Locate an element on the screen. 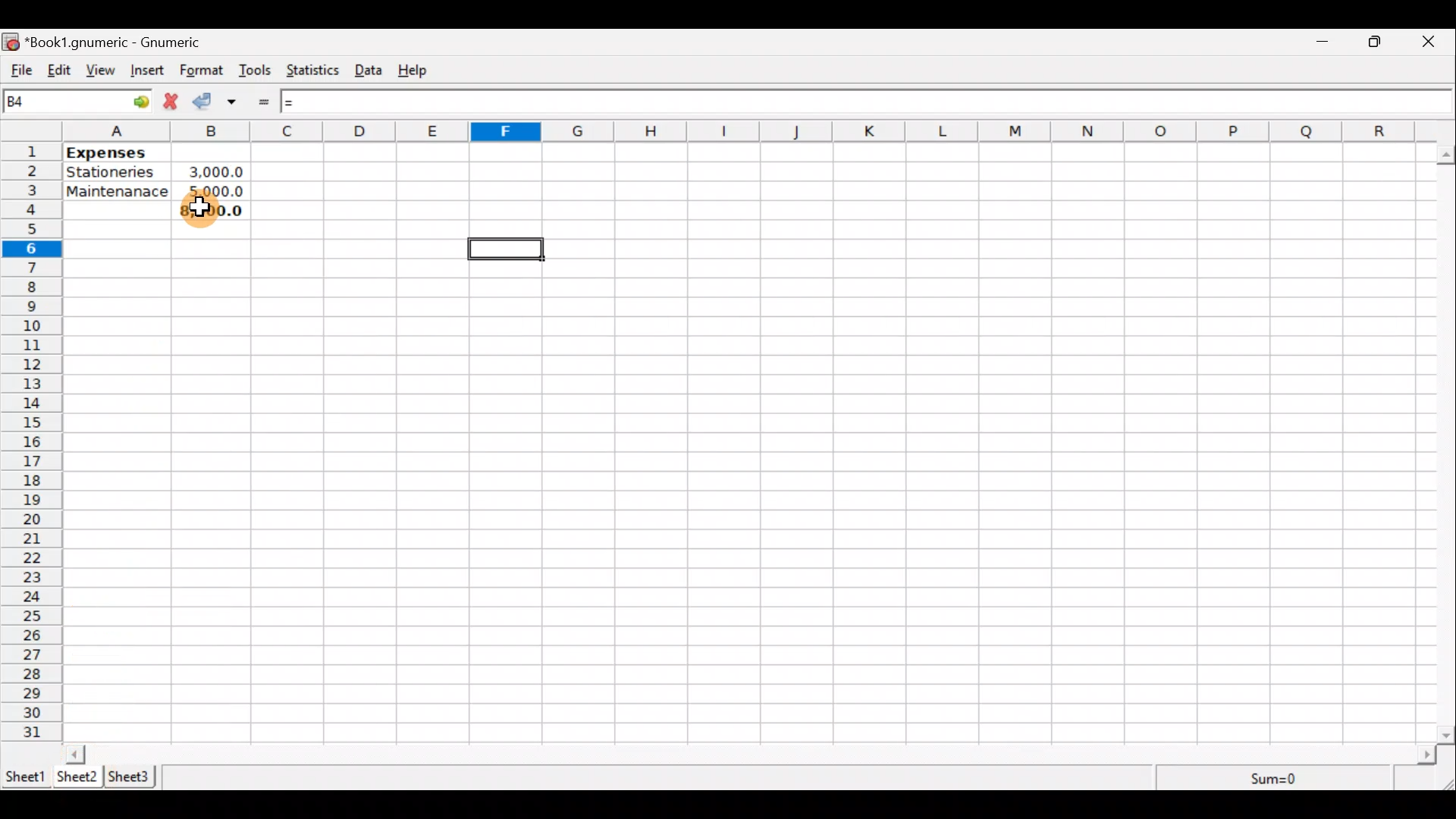 This screenshot has width=1456, height=819. Cursor hovering on cell B4 is located at coordinates (199, 215).